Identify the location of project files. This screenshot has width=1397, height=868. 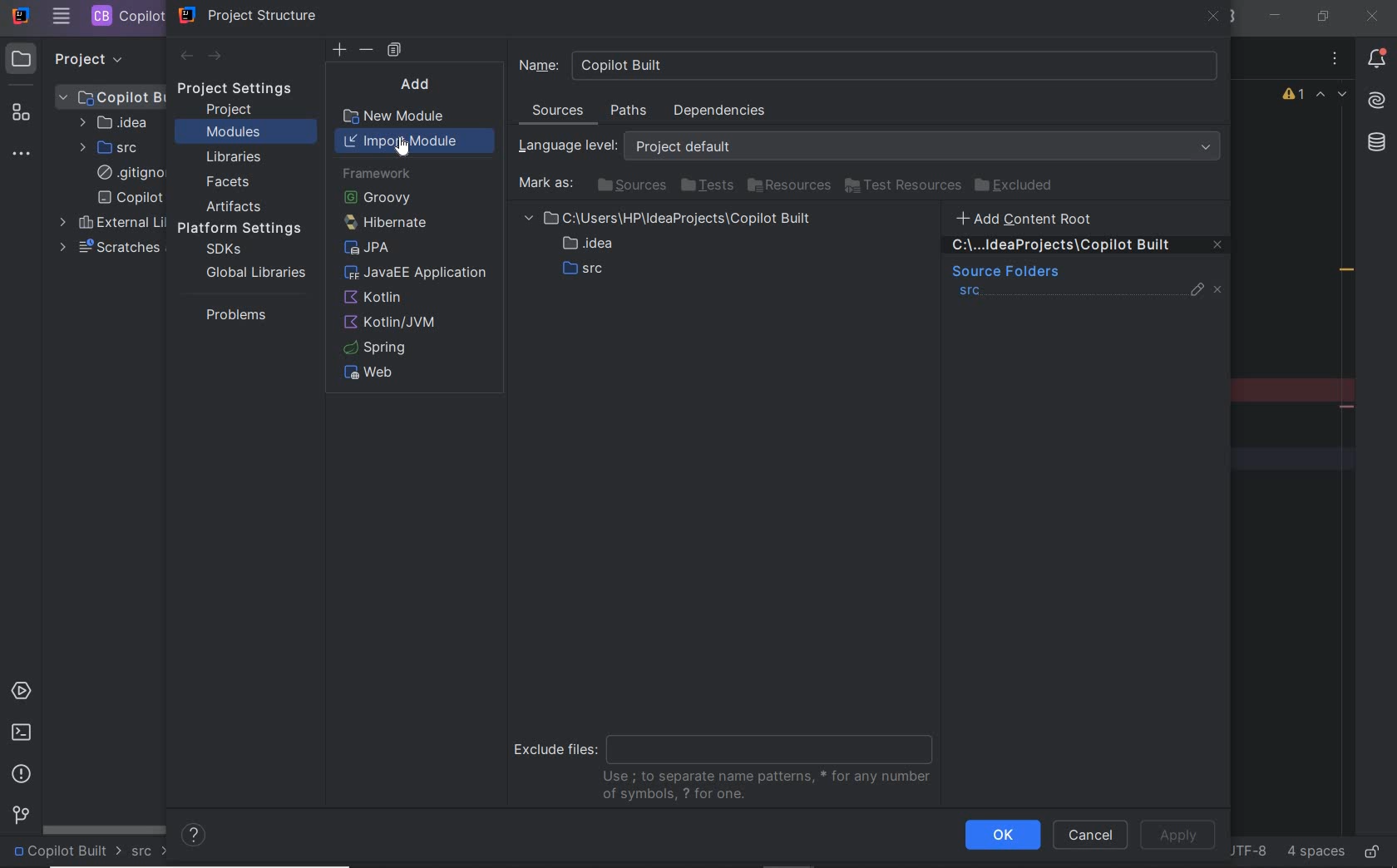
(672, 247).